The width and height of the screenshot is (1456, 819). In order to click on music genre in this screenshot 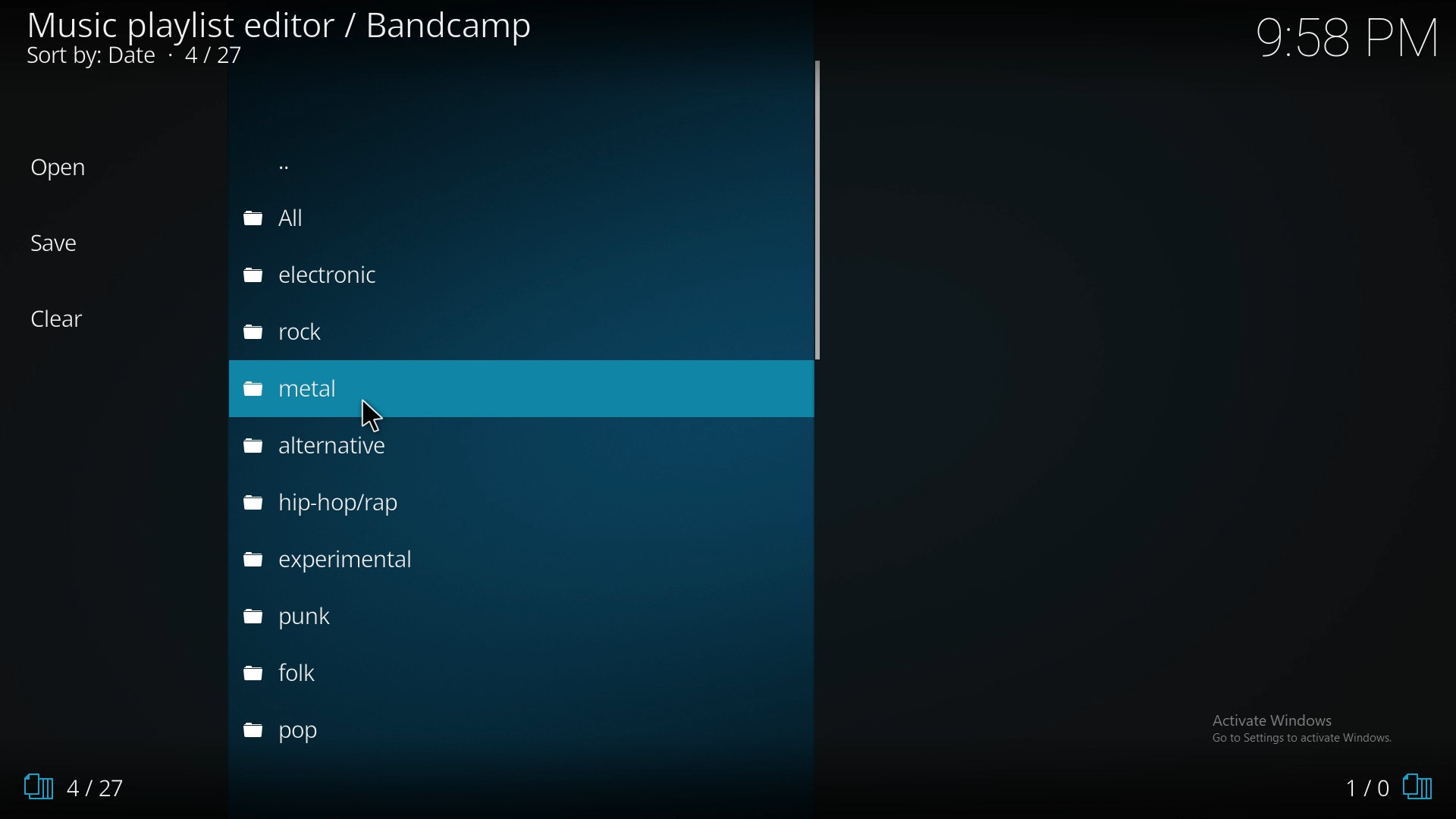, I will do `click(366, 560)`.